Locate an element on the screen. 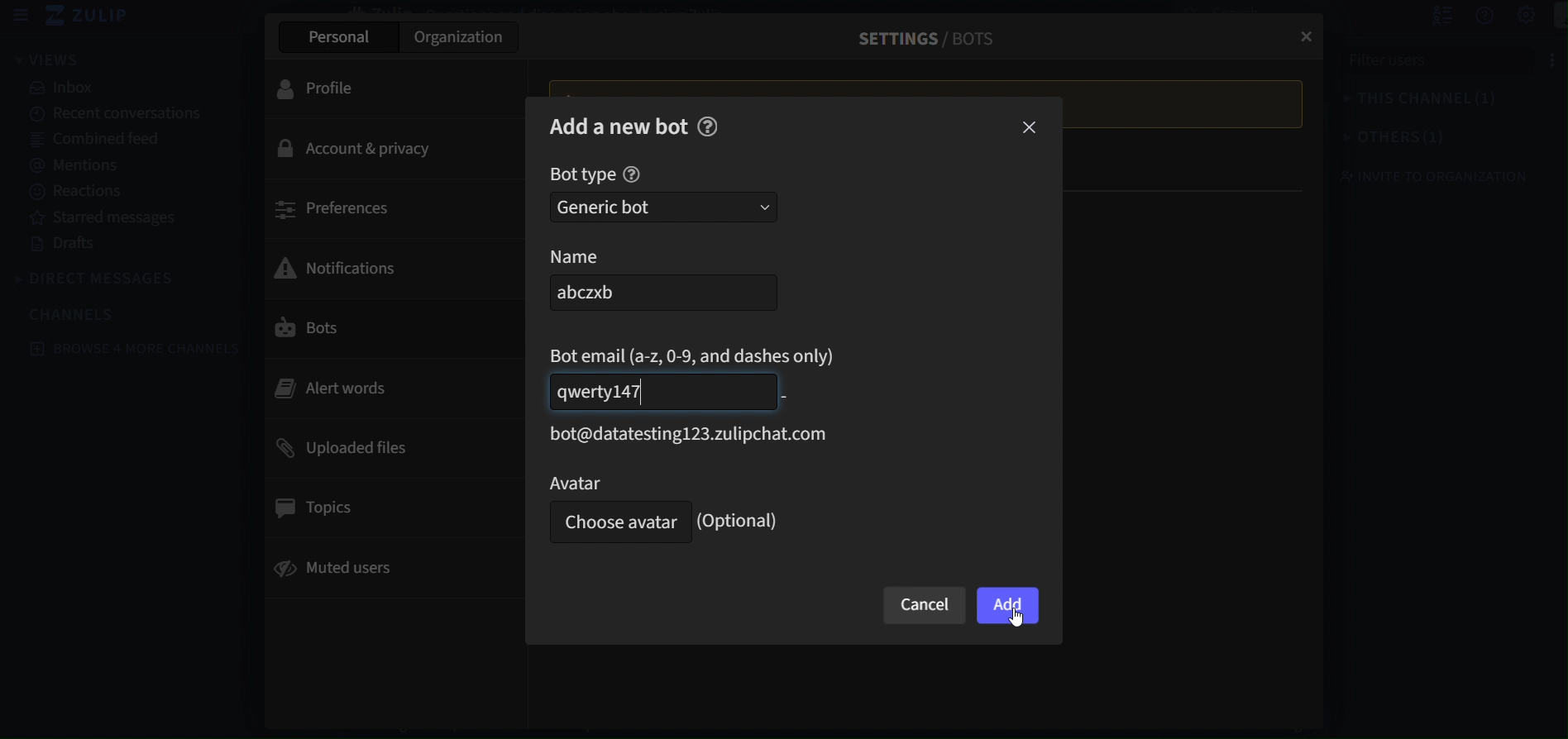 The height and width of the screenshot is (739, 1568). get help is located at coordinates (1466, 17).